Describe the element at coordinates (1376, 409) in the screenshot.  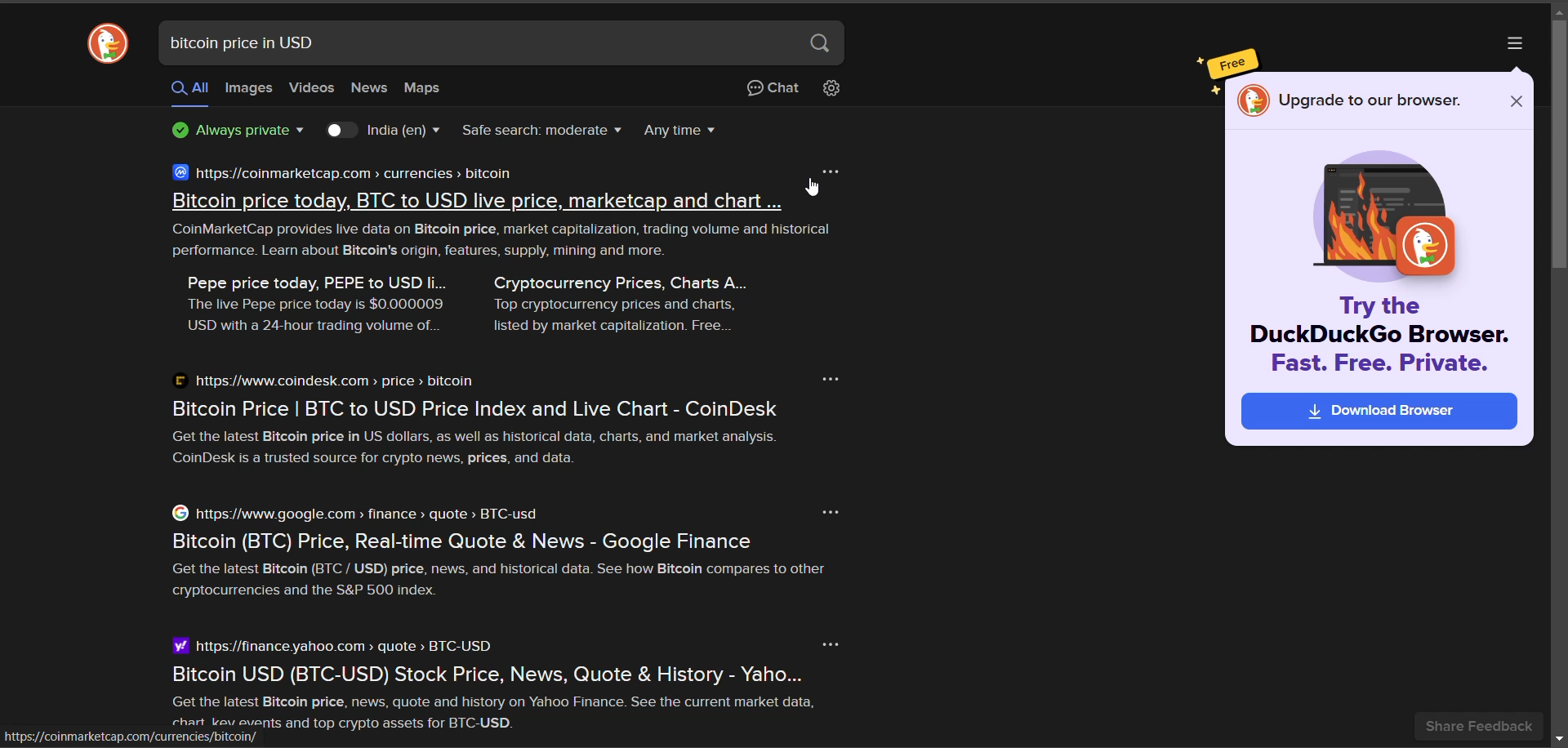
I see `download browser ad suggestion` at that location.